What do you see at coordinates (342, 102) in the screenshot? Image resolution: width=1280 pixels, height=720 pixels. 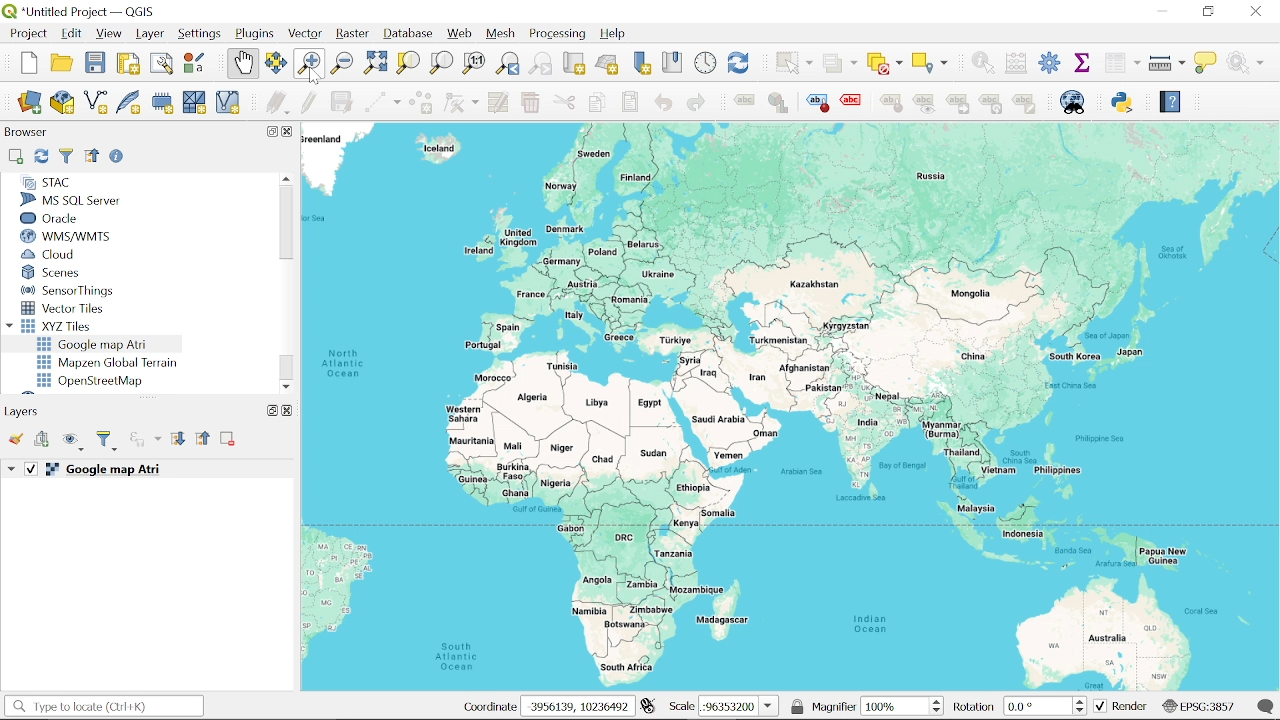 I see `Save layer edits` at bounding box center [342, 102].